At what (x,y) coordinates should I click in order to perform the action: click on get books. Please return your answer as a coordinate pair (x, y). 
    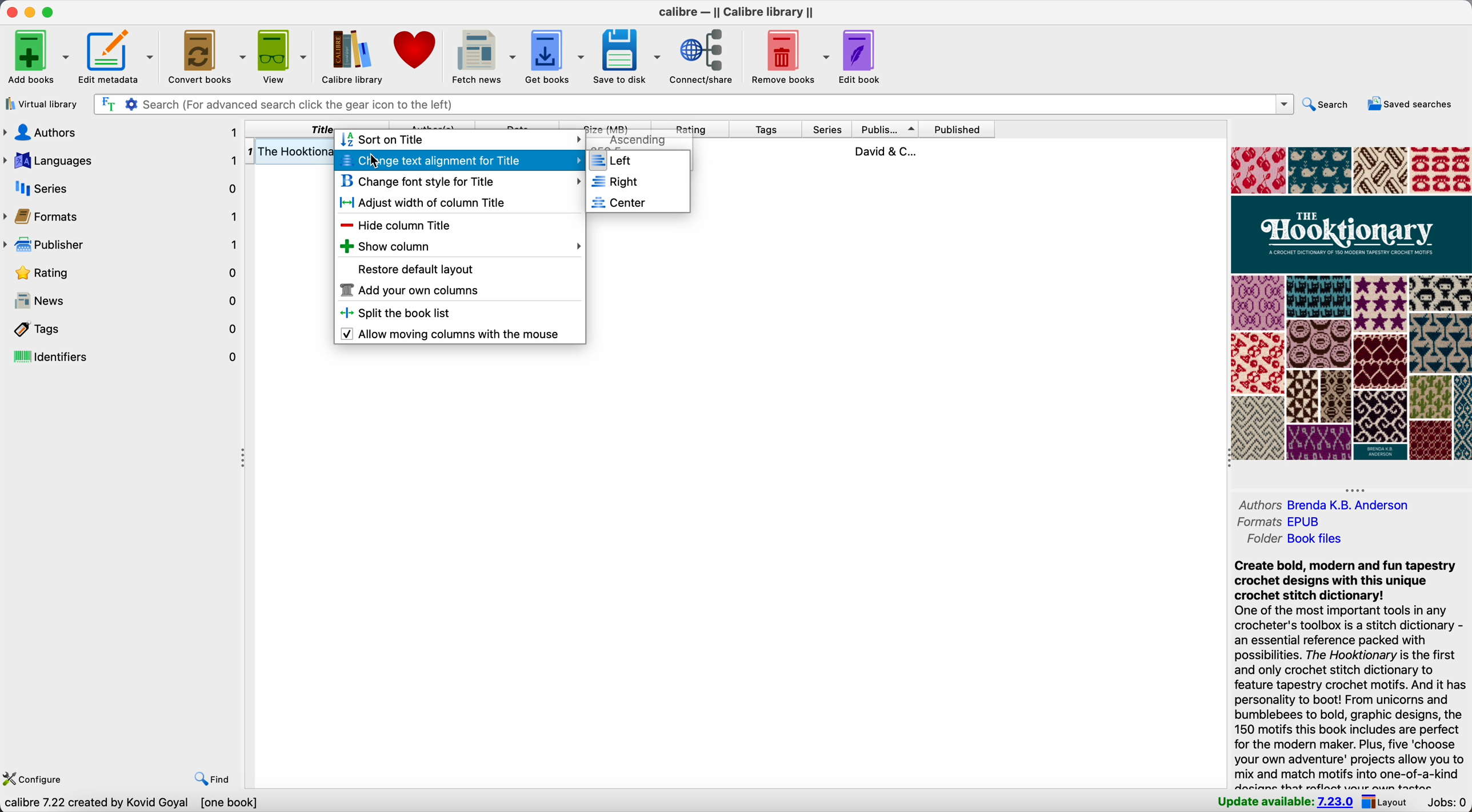
    Looking at the image, I should click on (556, 58).